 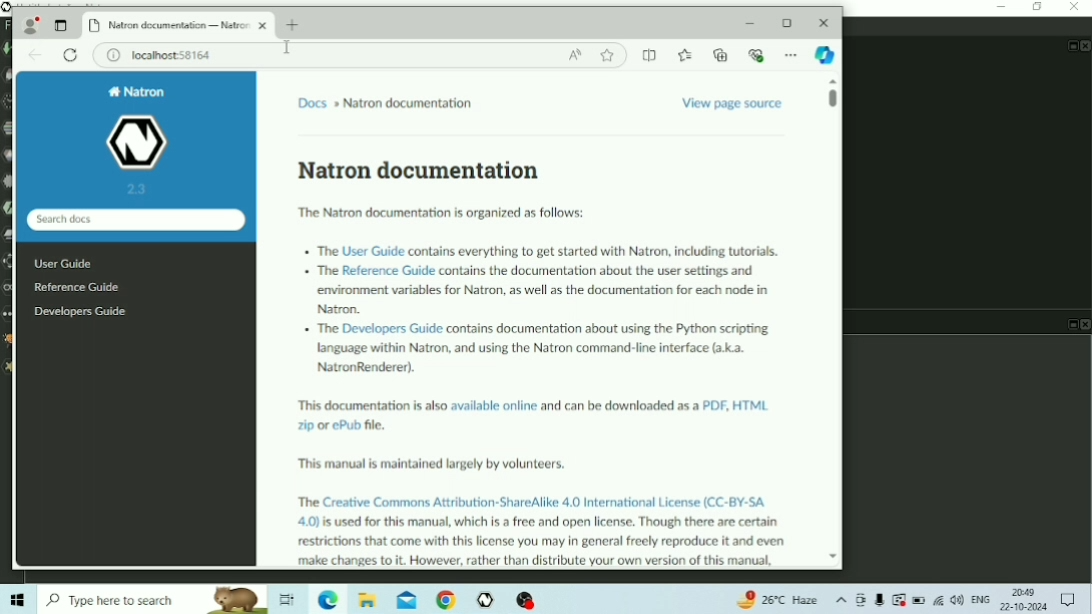 What do you see at coordinates (169, 25) in the screenshot?
I see `Natron documentation` at bounding box center [169, 25].